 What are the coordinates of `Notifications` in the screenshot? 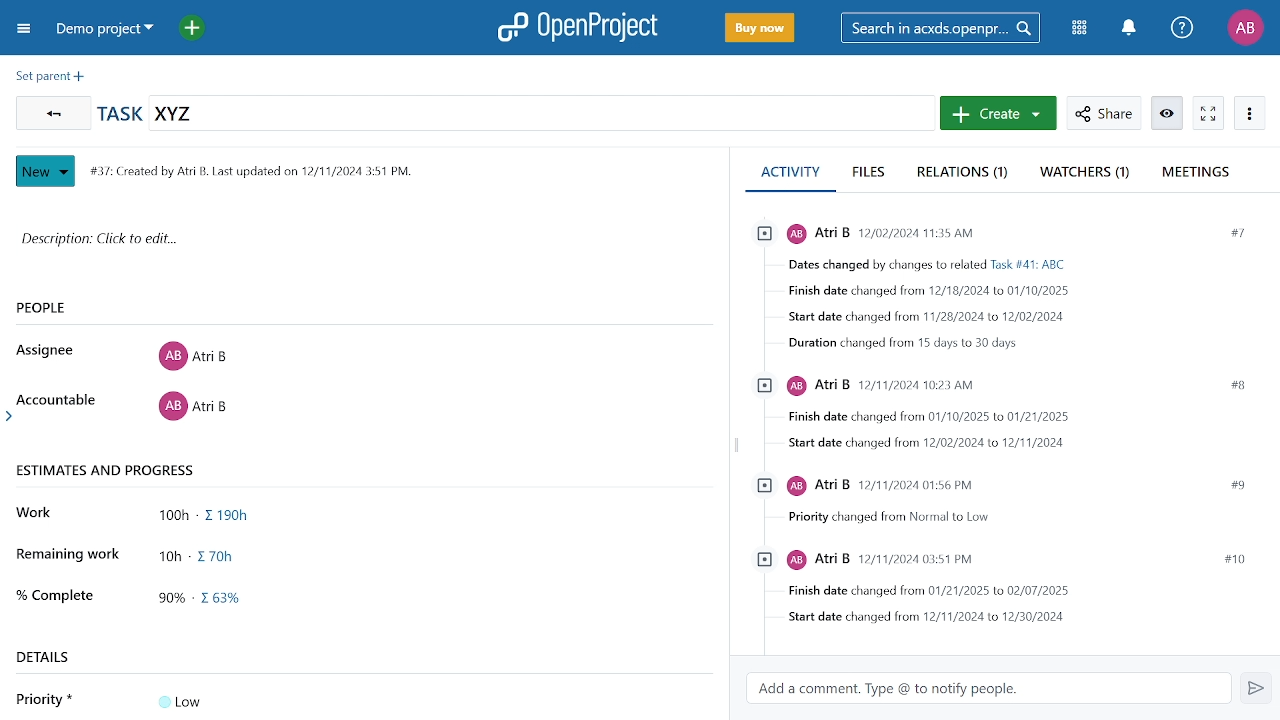 It's located at (1130, 29).